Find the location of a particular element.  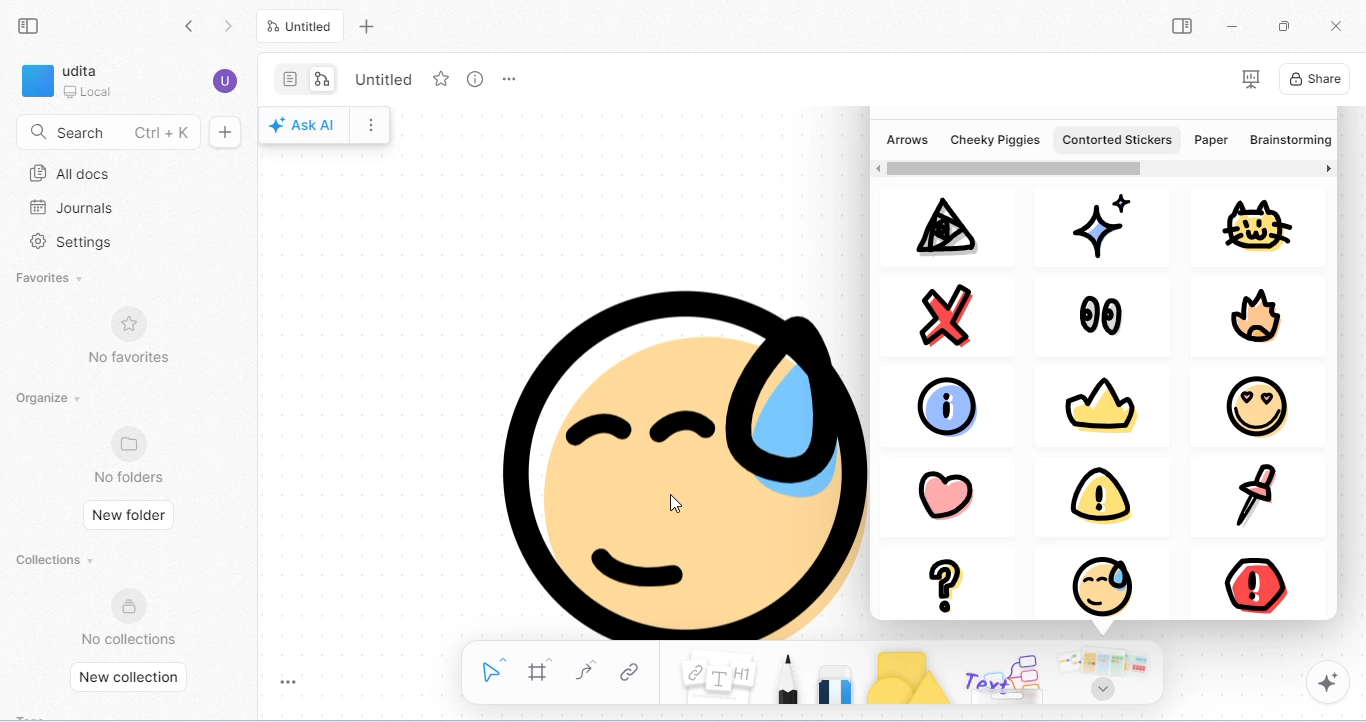

arrows and more is located at coordinates (1101, 674).